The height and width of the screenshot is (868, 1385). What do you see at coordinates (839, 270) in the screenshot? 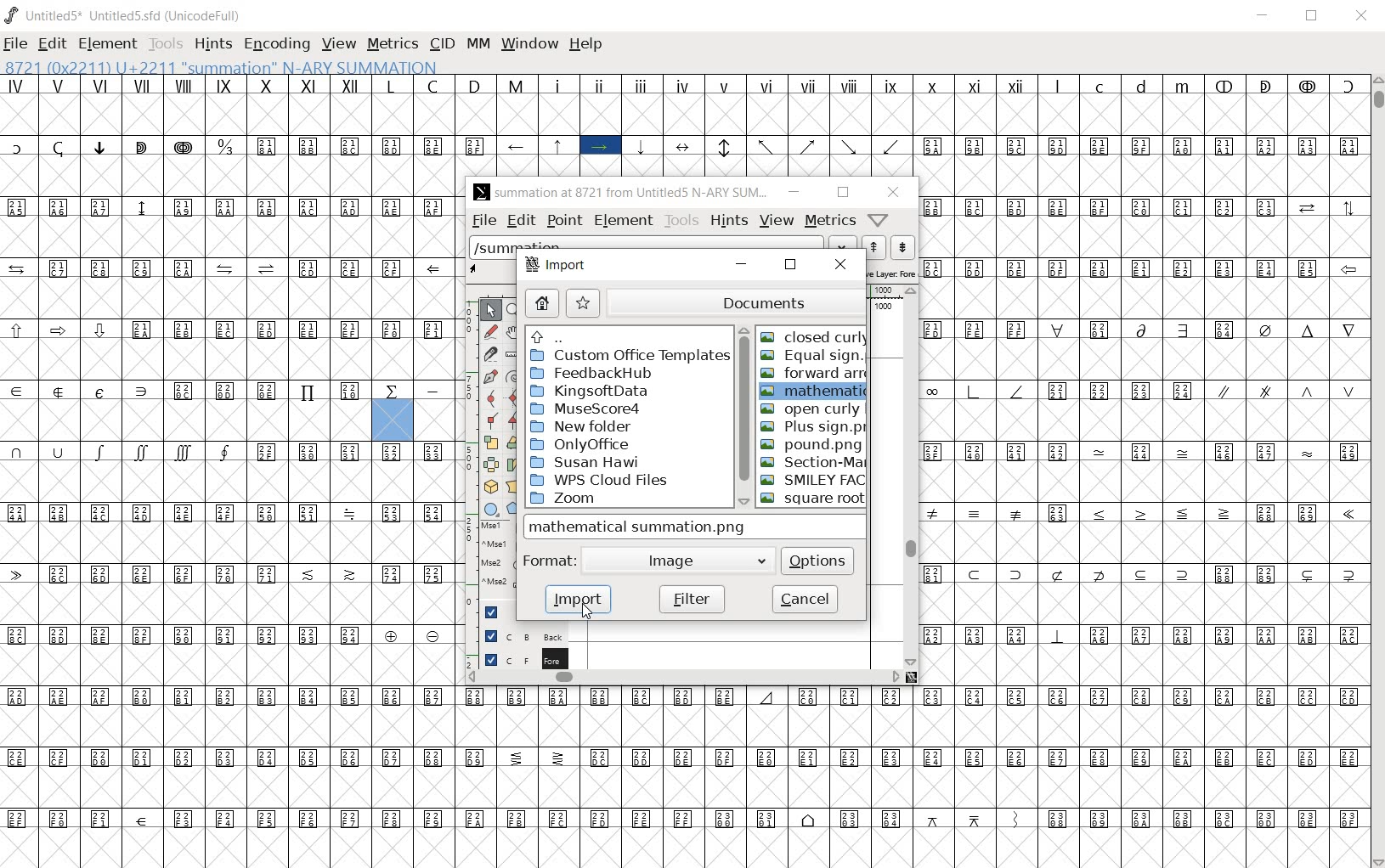
I see `close` at bounding box center [839, 270].